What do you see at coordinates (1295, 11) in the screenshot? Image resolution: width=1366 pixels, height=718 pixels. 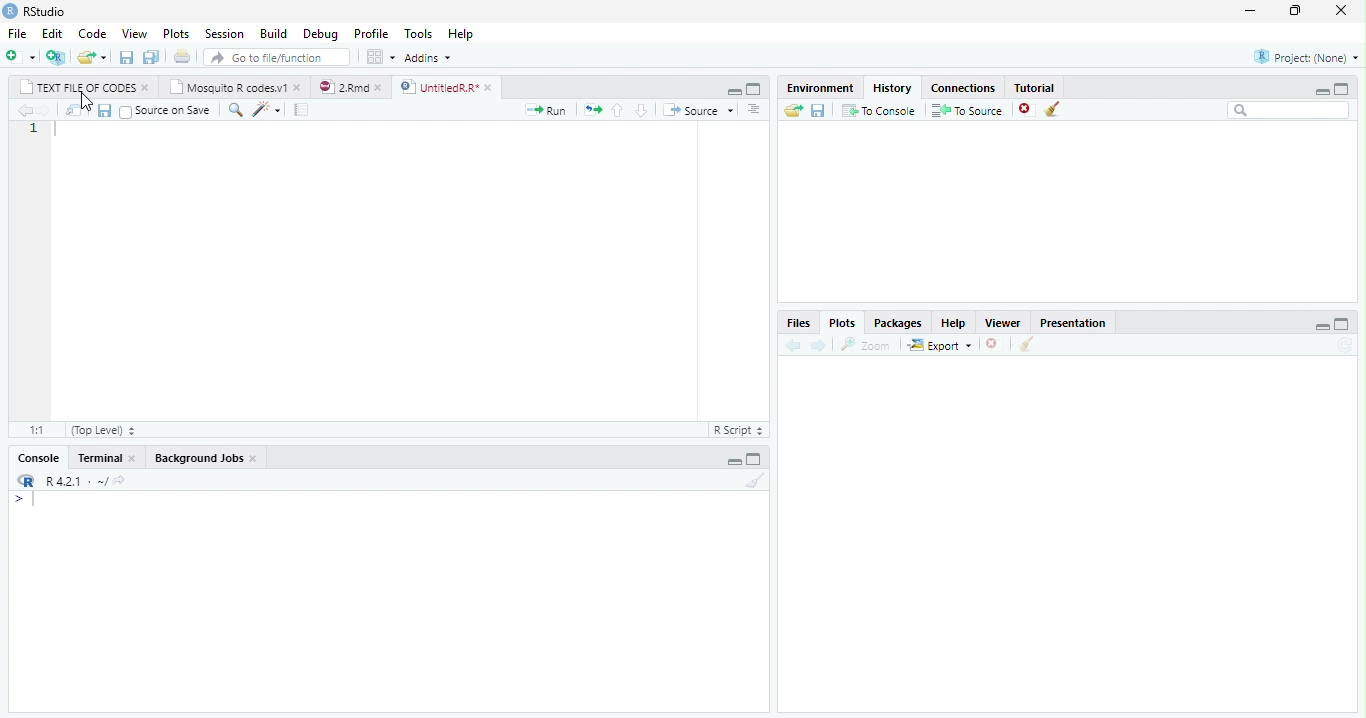 I see `maximize` at bounding box center [1295, 11].